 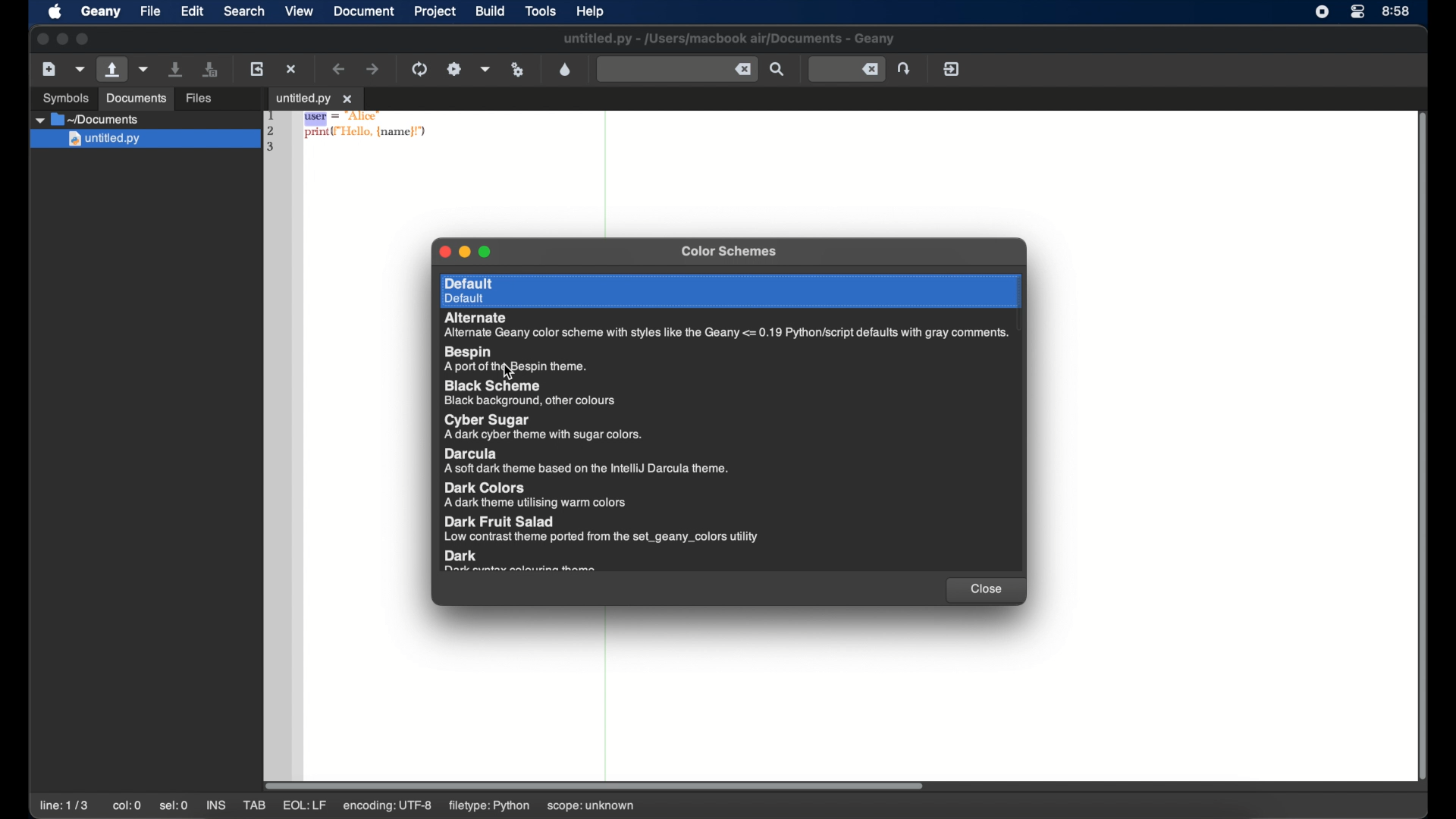 I want to click on ins, so click(x=215, y=805).